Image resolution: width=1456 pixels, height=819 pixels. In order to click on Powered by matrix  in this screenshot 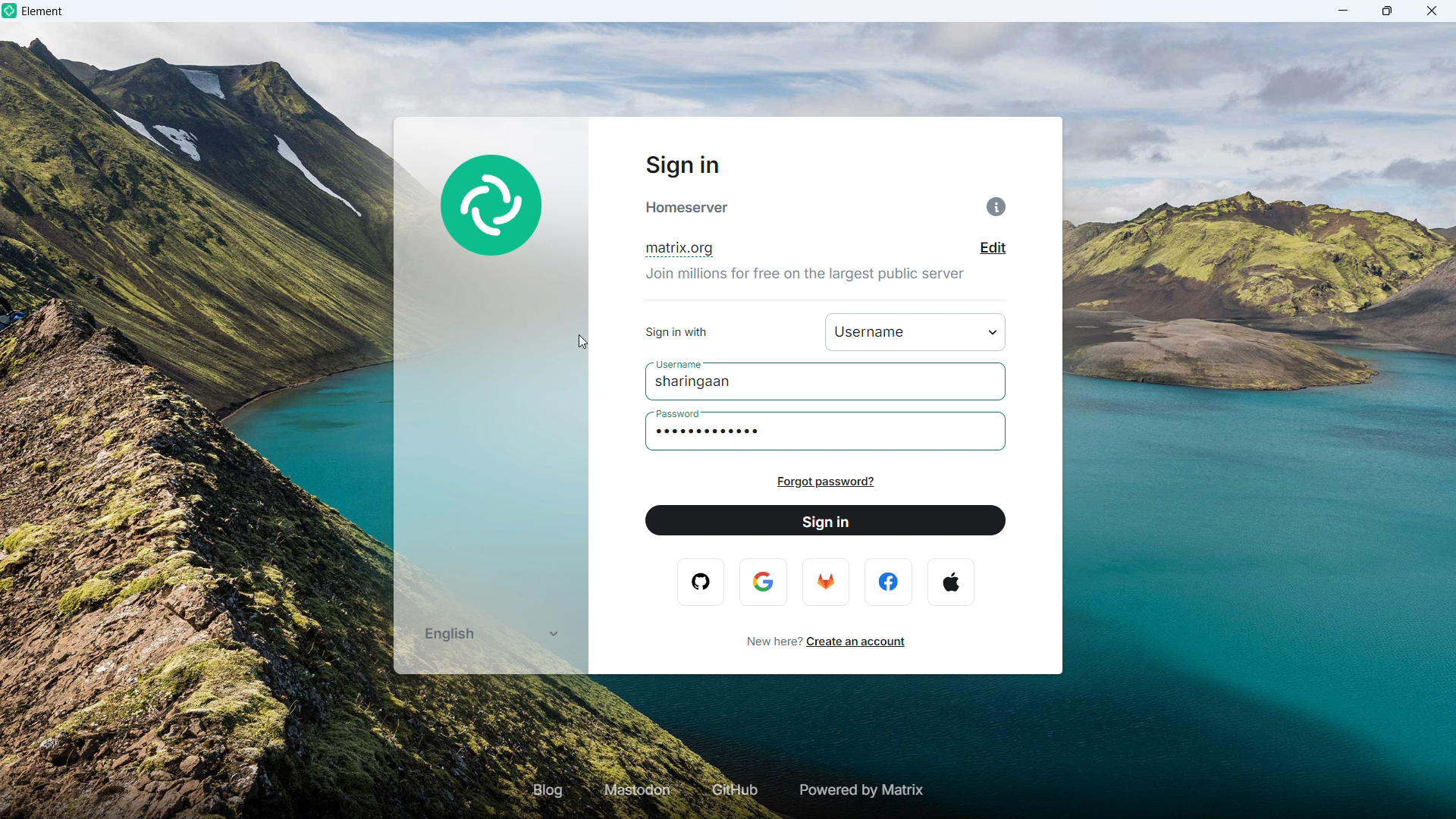, I will do `click(859, 790)`.